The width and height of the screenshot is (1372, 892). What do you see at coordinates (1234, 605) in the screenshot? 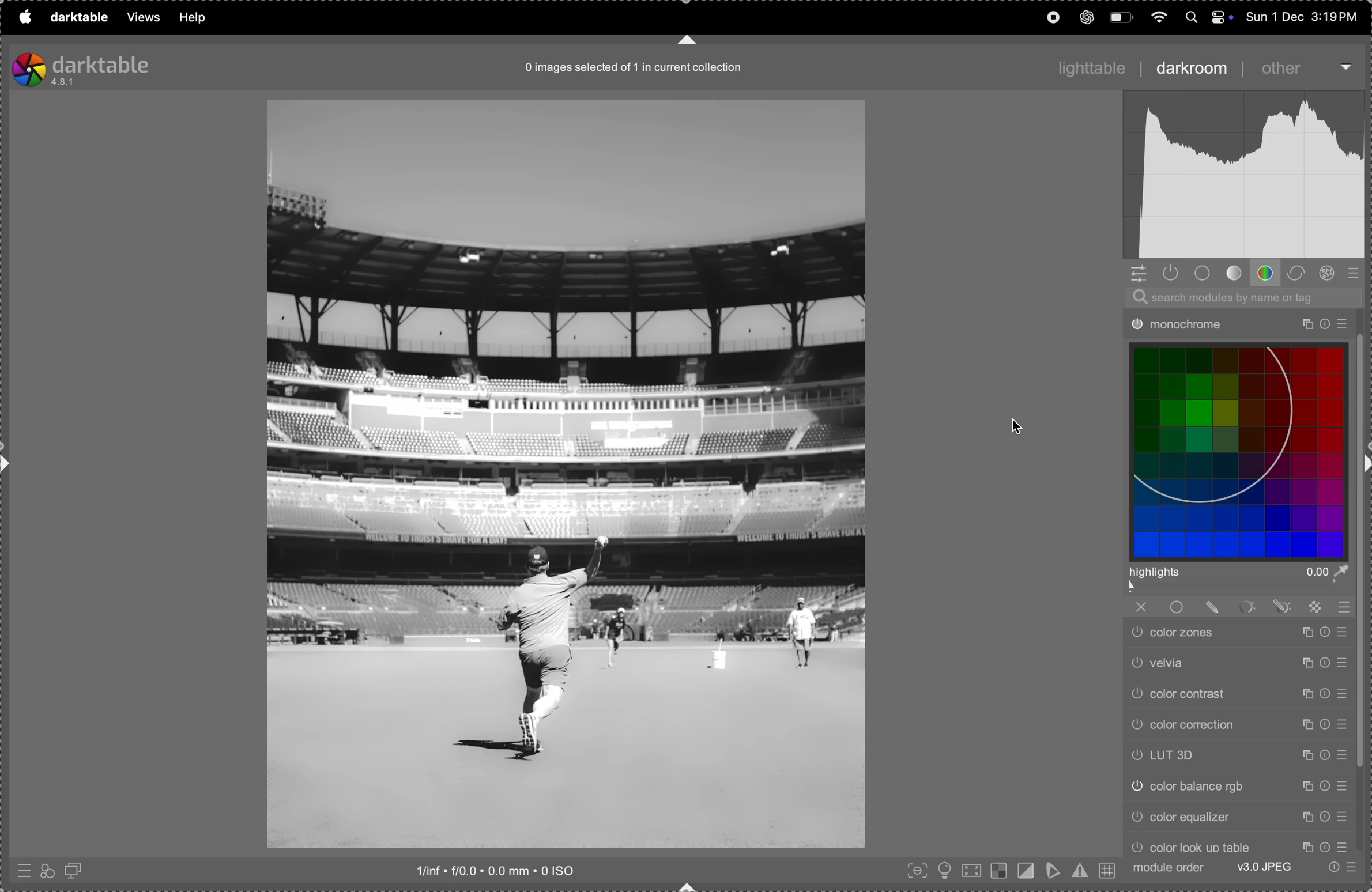
I see `close` at bounding box center [1234, 605].